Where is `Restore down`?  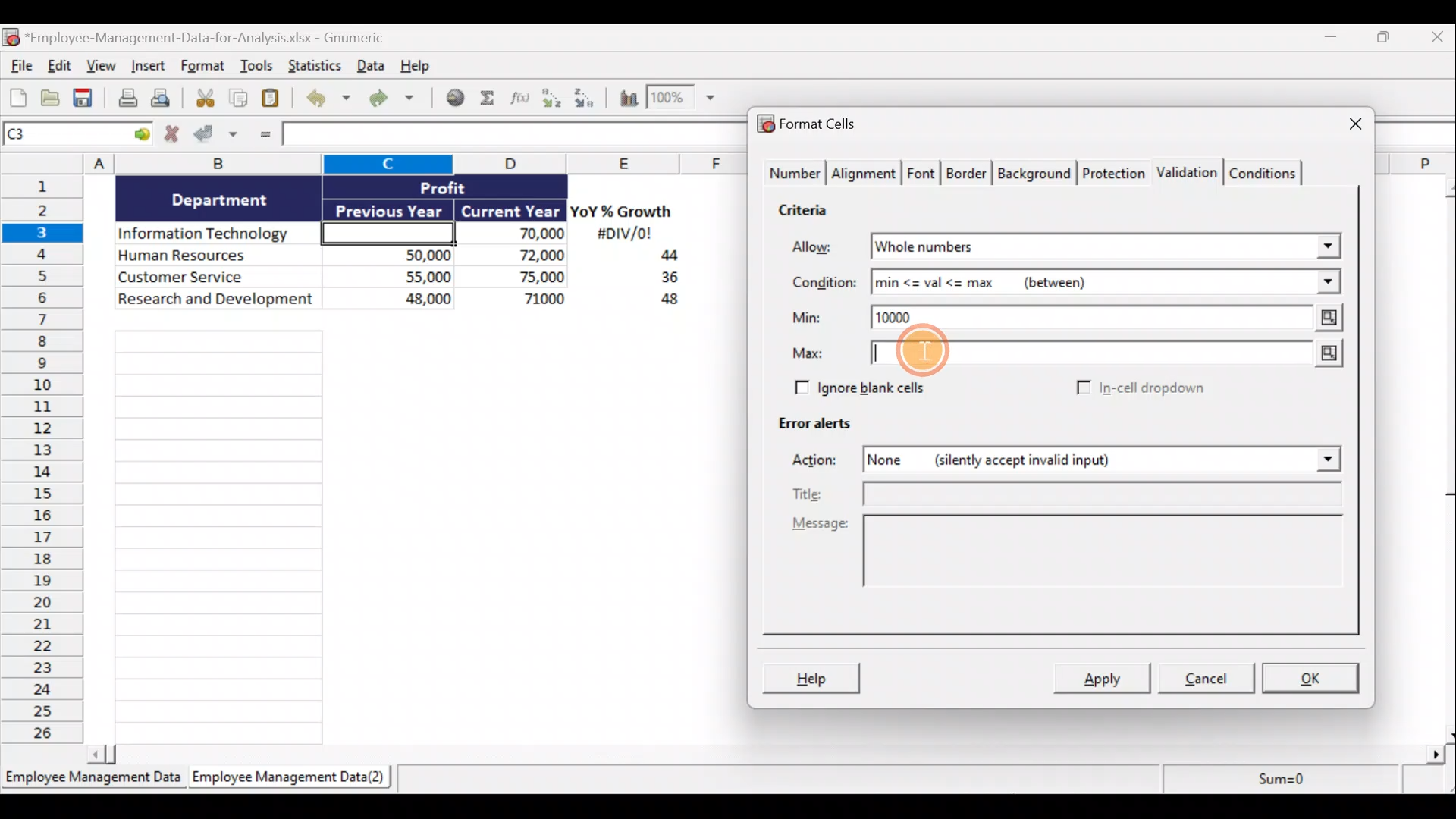
Restore down is located at coordinates (1385, 41).